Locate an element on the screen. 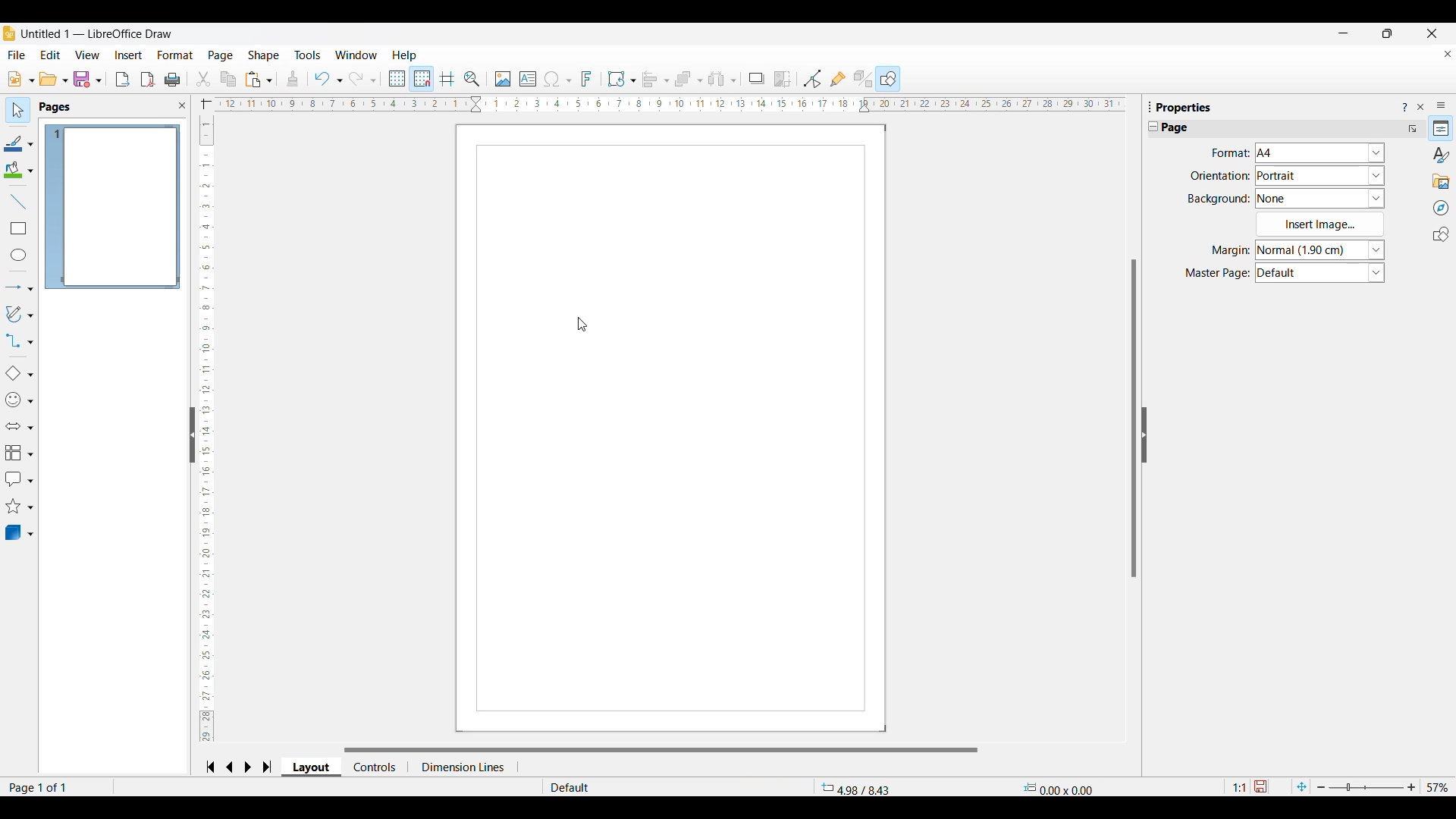  Navigator is located at coordinates (1441, 208).